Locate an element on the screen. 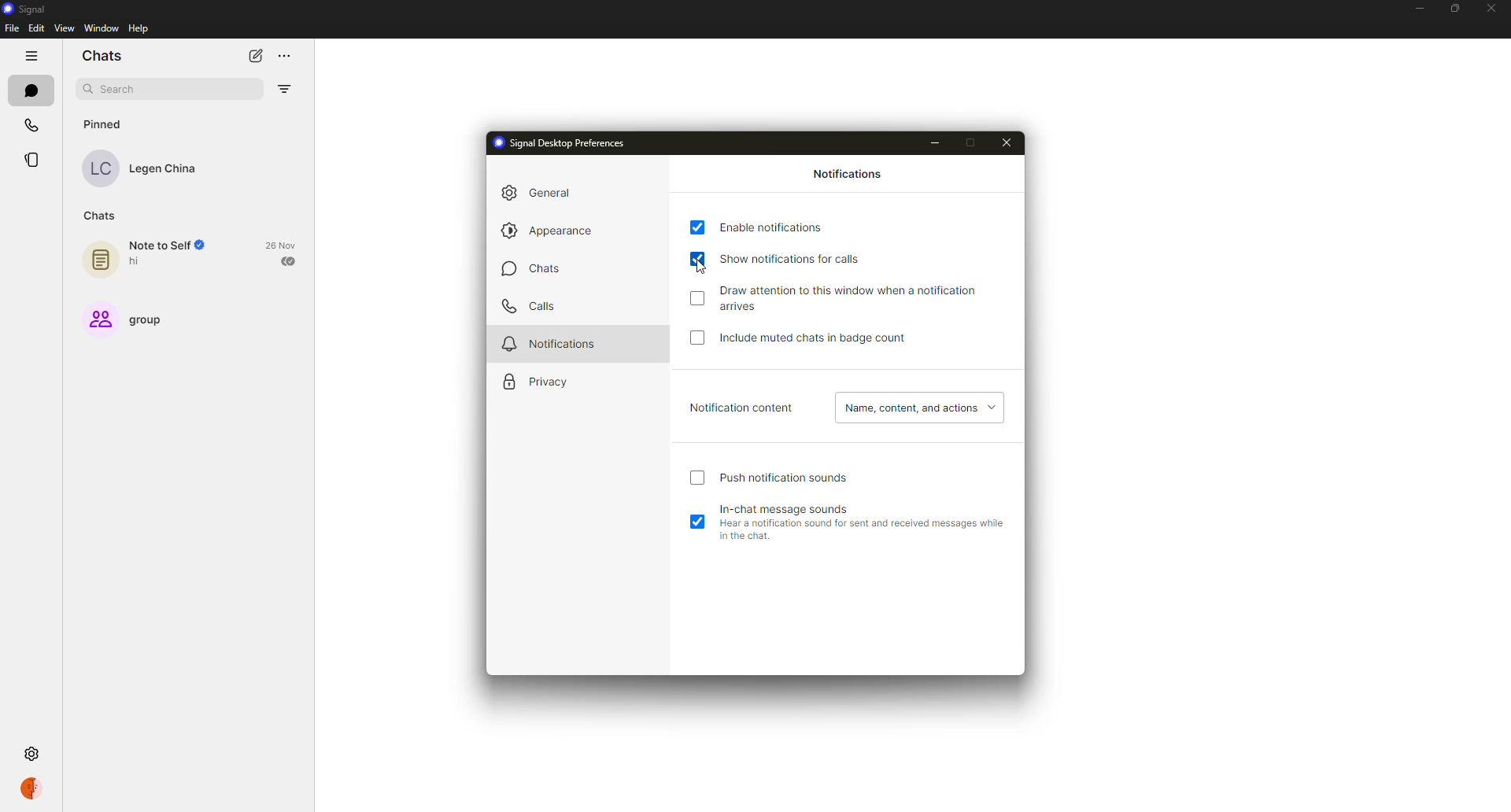  hide tabs is located at coordinates (31, 56).